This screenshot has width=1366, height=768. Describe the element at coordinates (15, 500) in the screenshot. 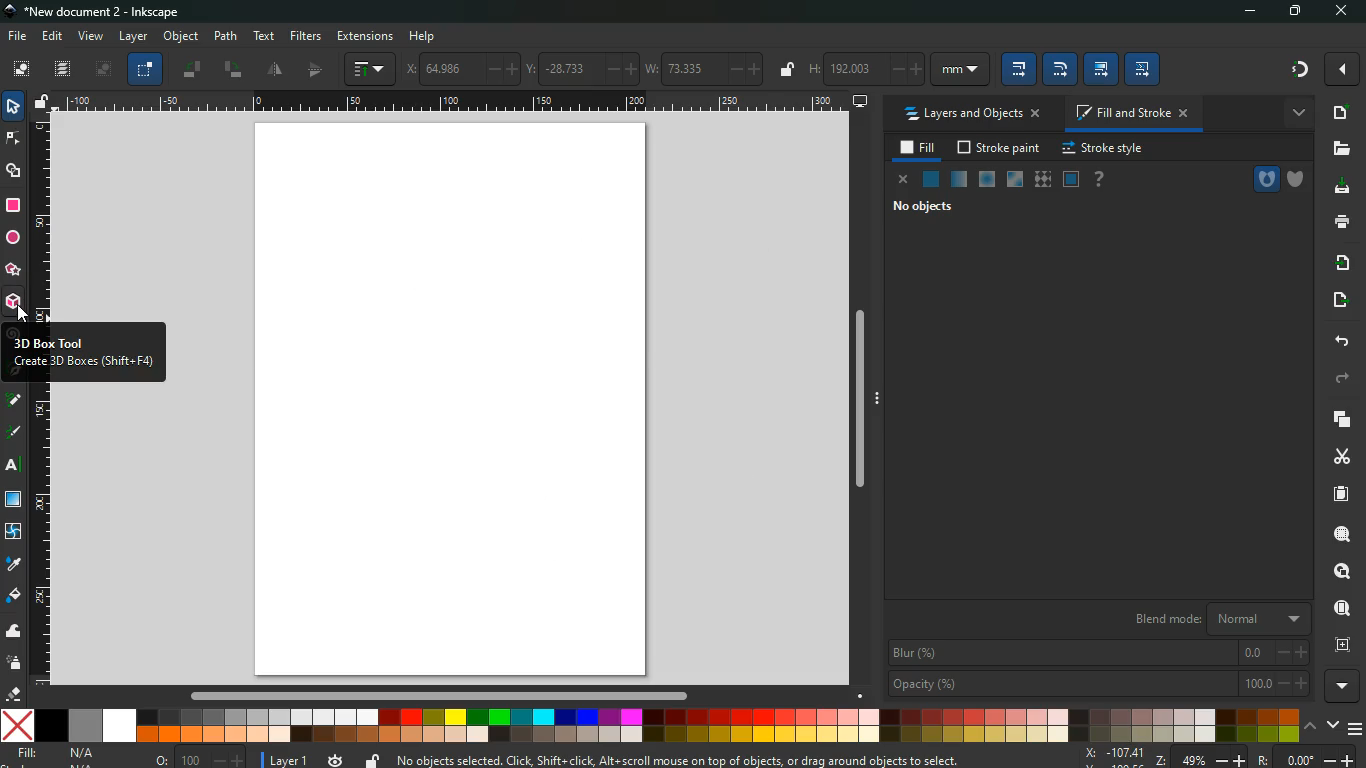

I see `window` at that location.